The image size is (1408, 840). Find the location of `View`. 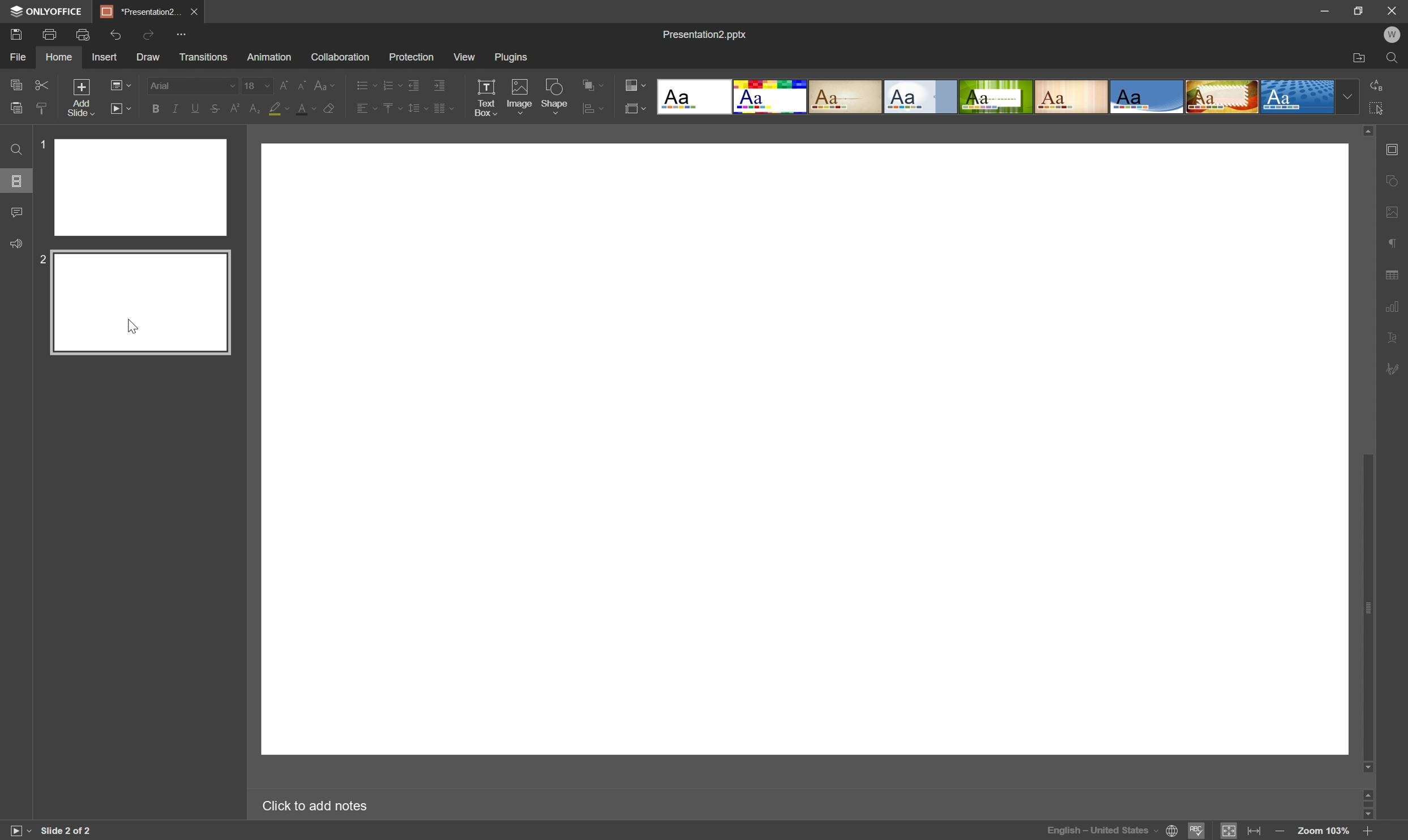

View is located at coordinates (464, 57).